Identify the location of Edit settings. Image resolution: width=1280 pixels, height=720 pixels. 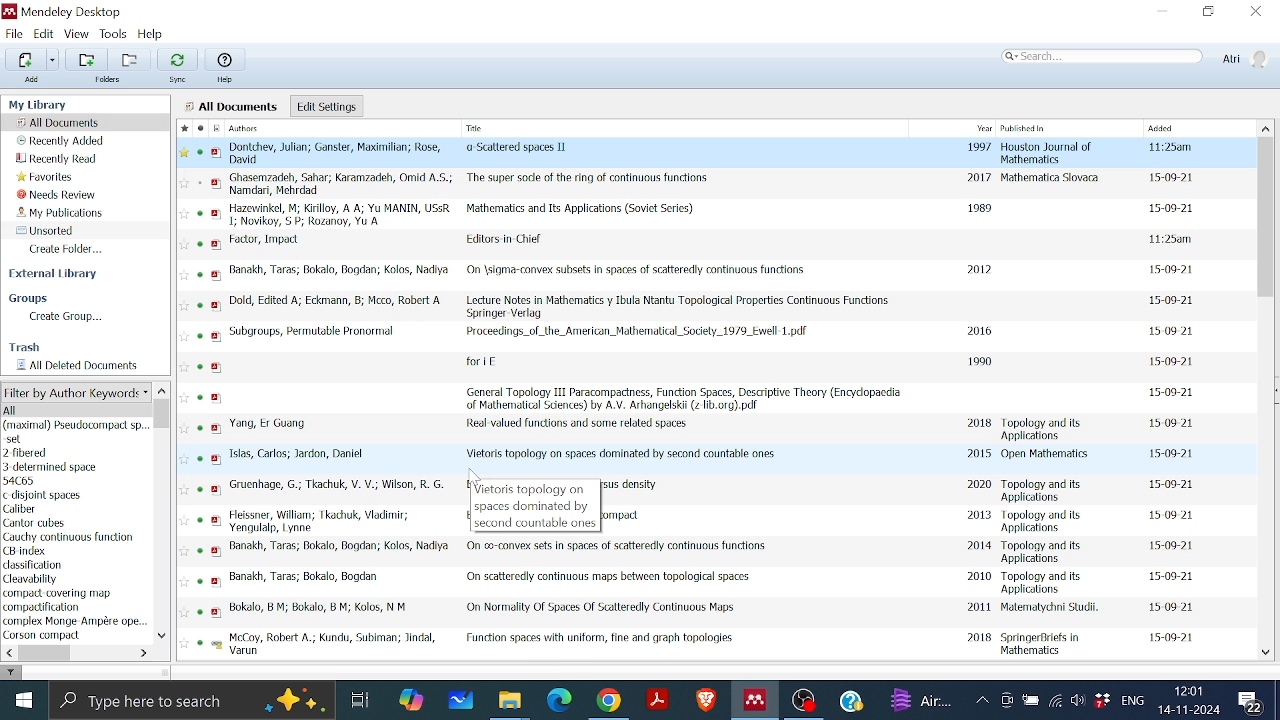
(324, 104).